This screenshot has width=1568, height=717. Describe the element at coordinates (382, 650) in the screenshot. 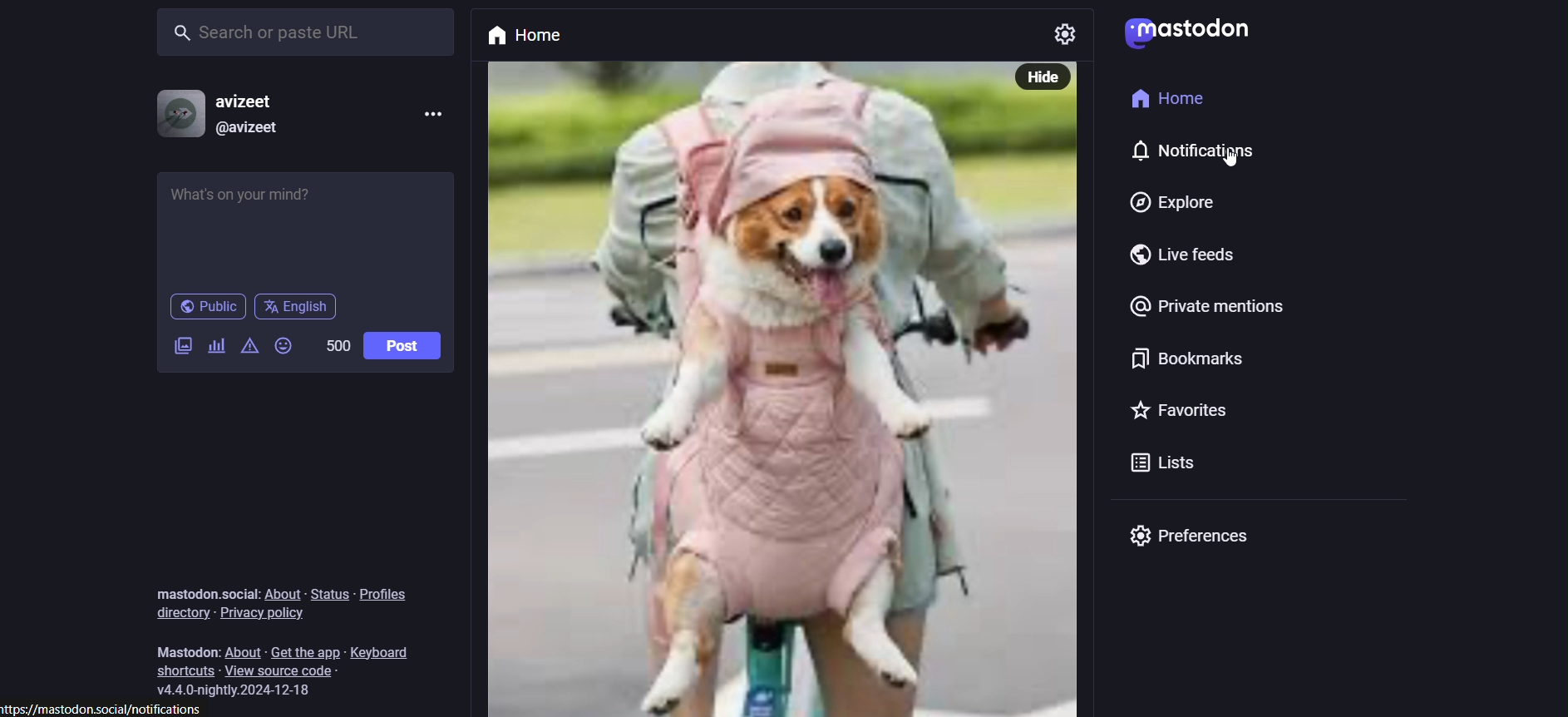

I see `keyboard` at that location.